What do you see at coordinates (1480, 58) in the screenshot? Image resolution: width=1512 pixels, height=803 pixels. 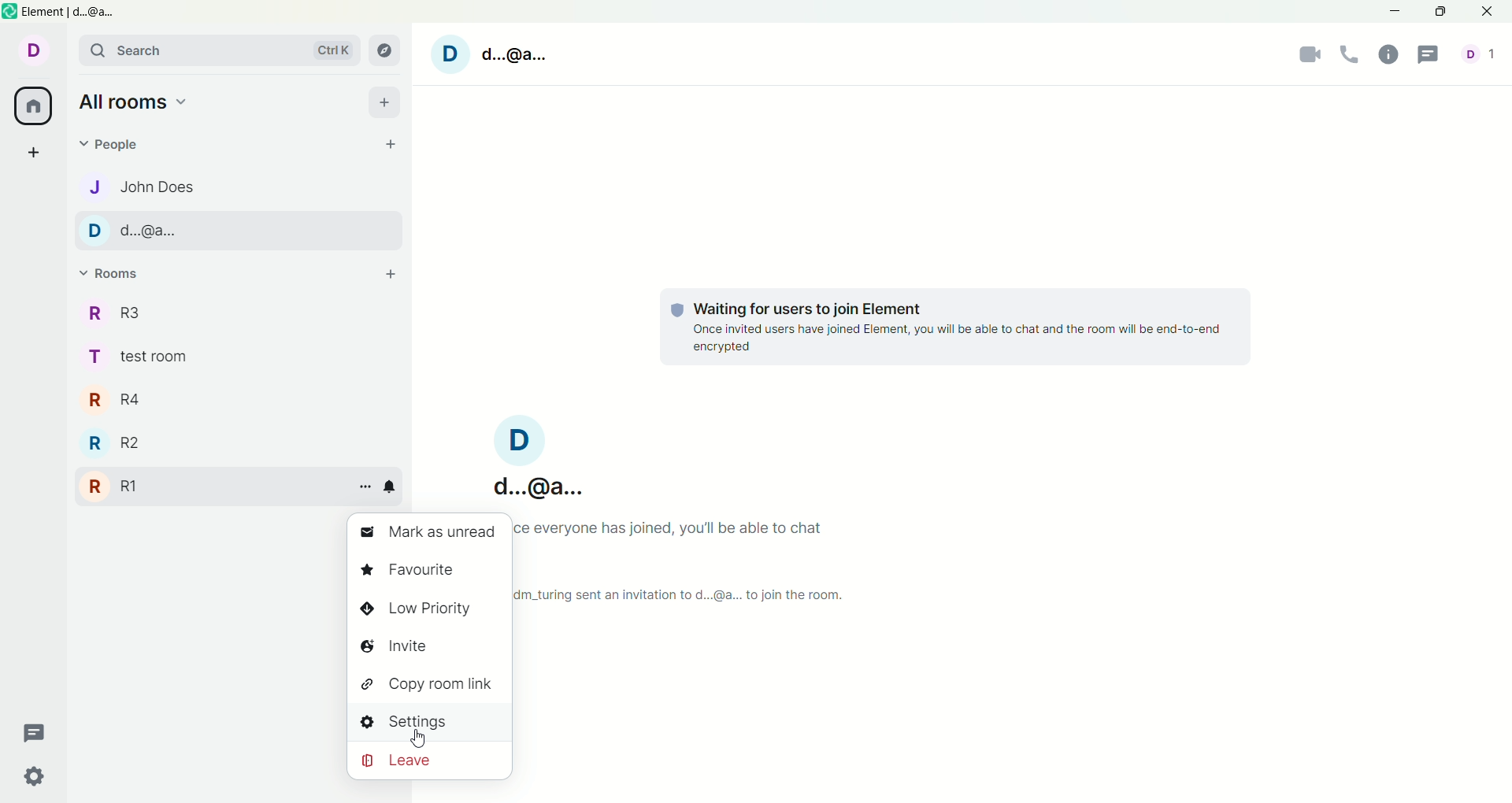 I see `d 1` at bounding box center [1480, 58].